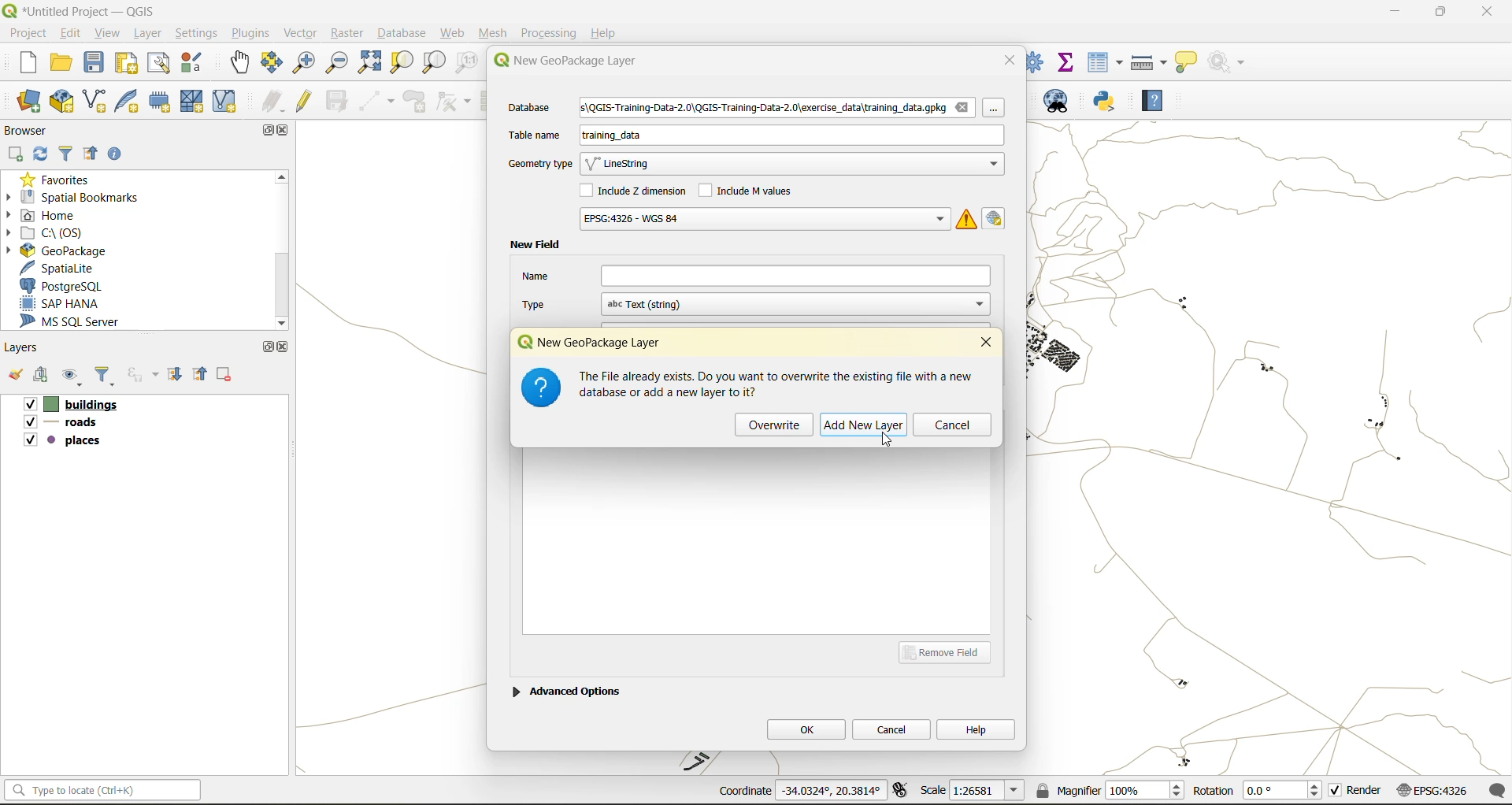 This screenshot has height=805, width=1512. Describe the element at coordinates (763, 219) in the screenshot. I see `crs (EPSG: 4326-WGS 84)` at that location.